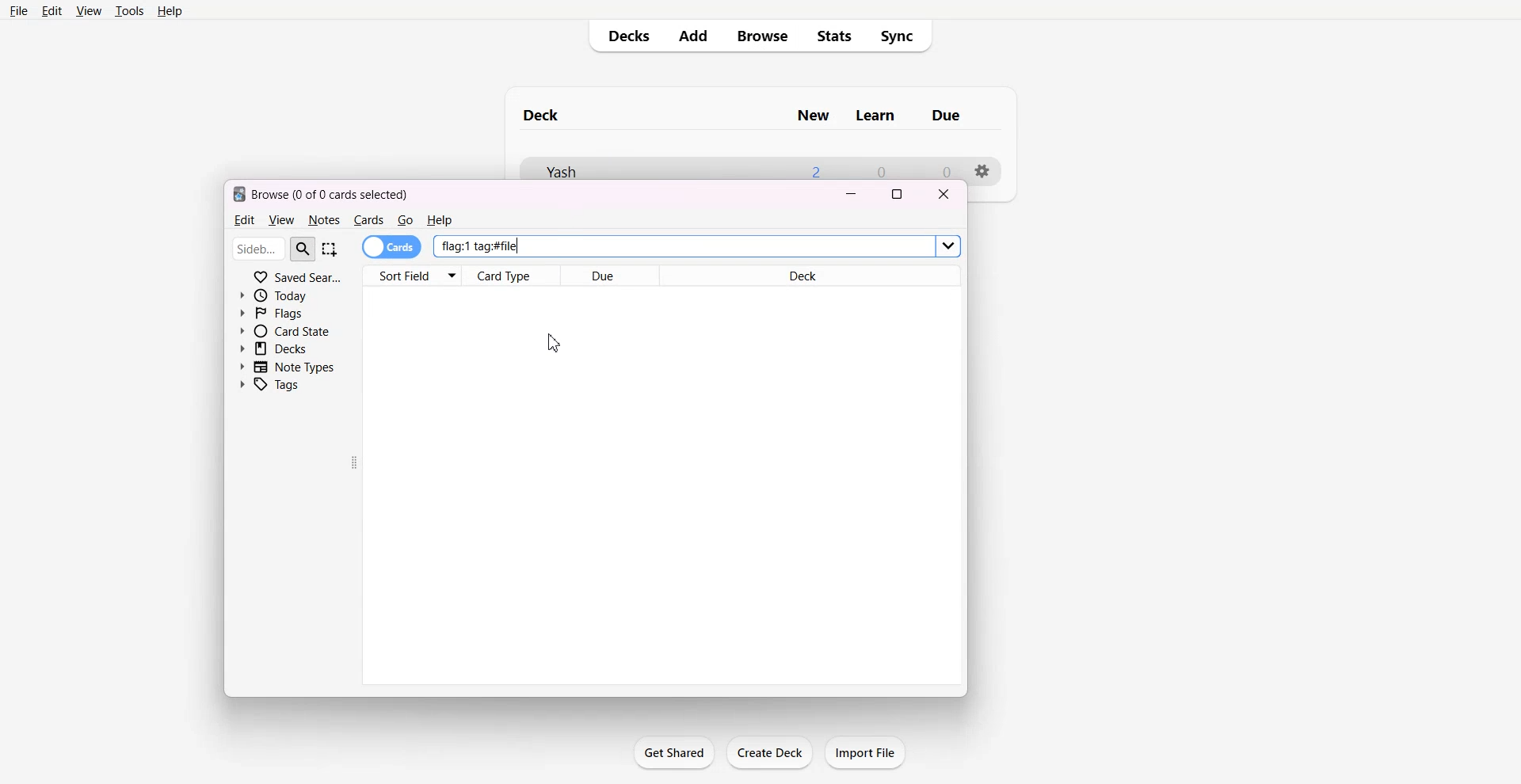  I want to click on Note Types, so click(287, 366).